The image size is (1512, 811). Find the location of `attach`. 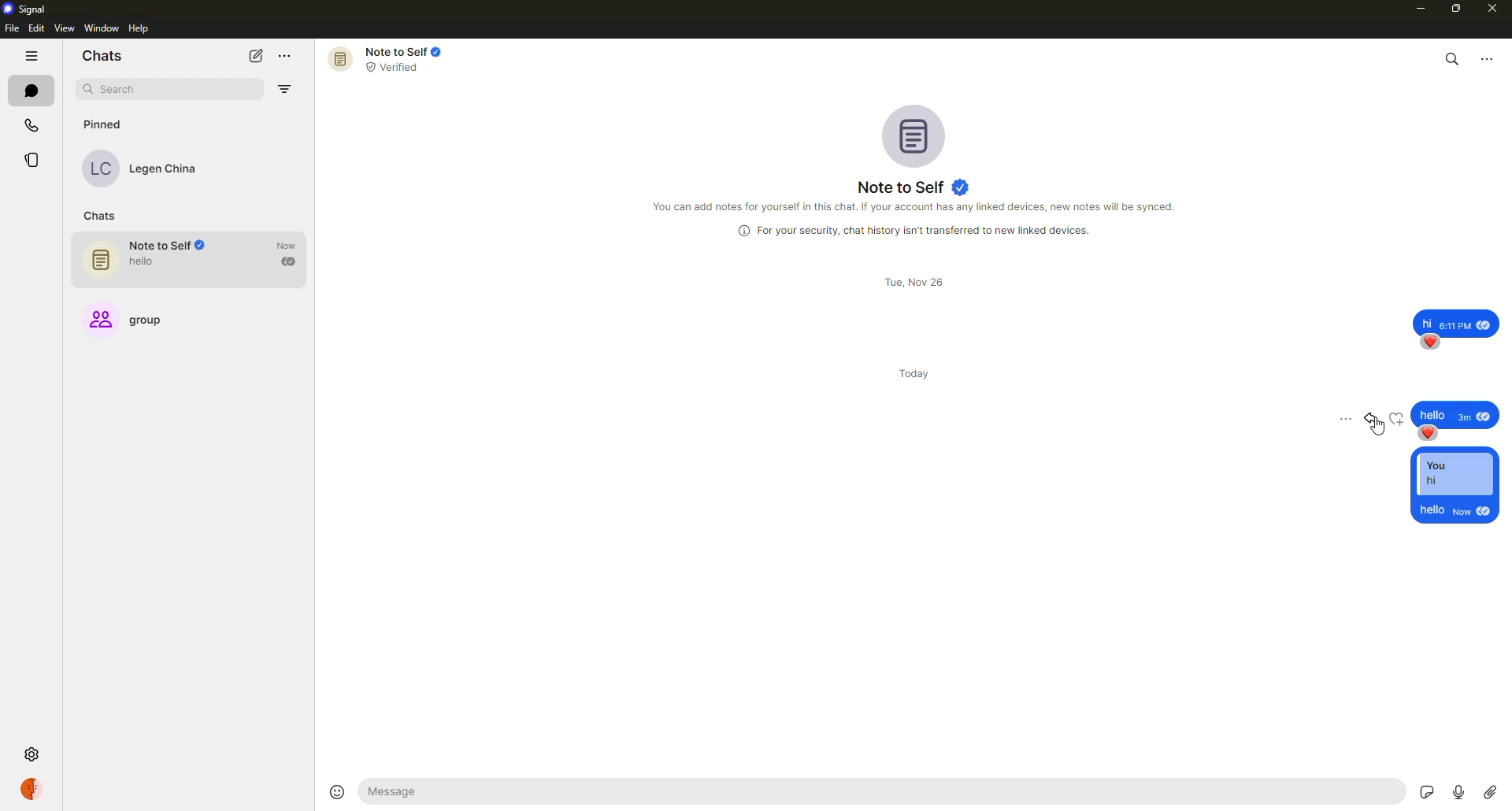

attach is located at coordinates (1492, 791).